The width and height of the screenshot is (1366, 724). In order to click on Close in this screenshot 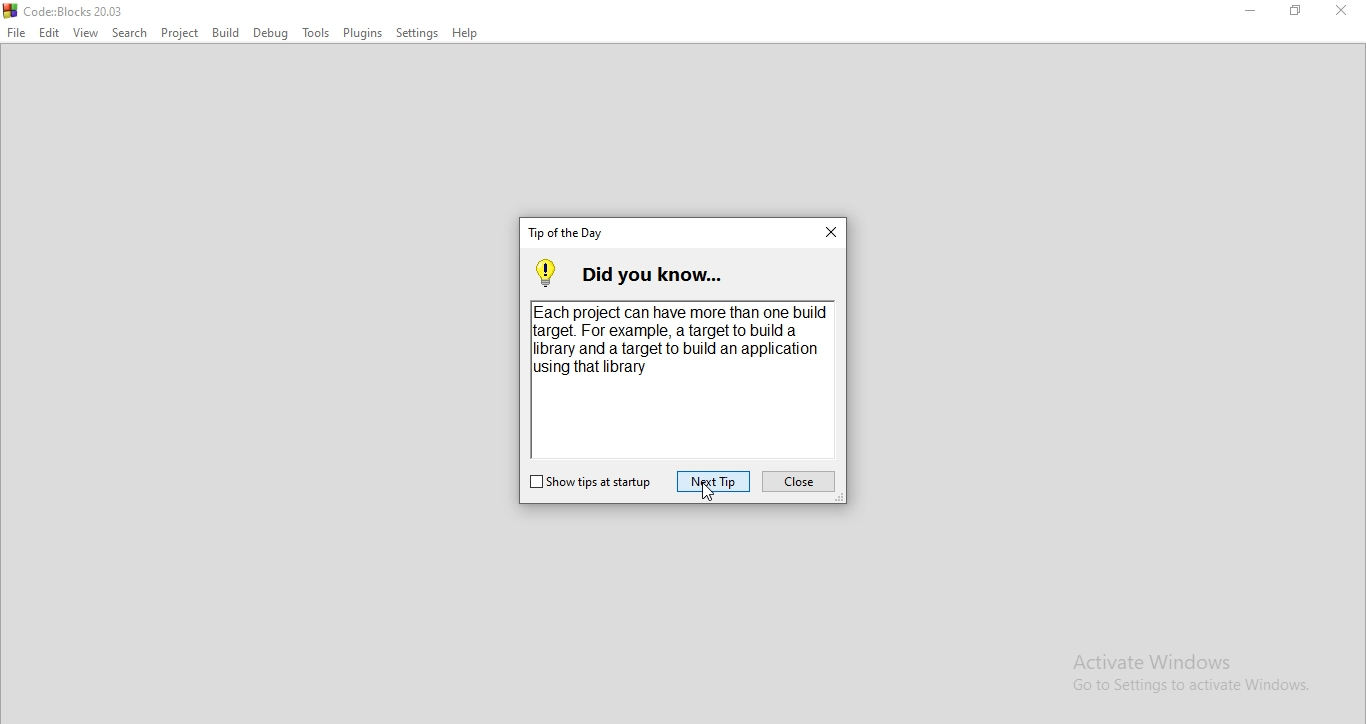, I will do `click(1341, 10)`.